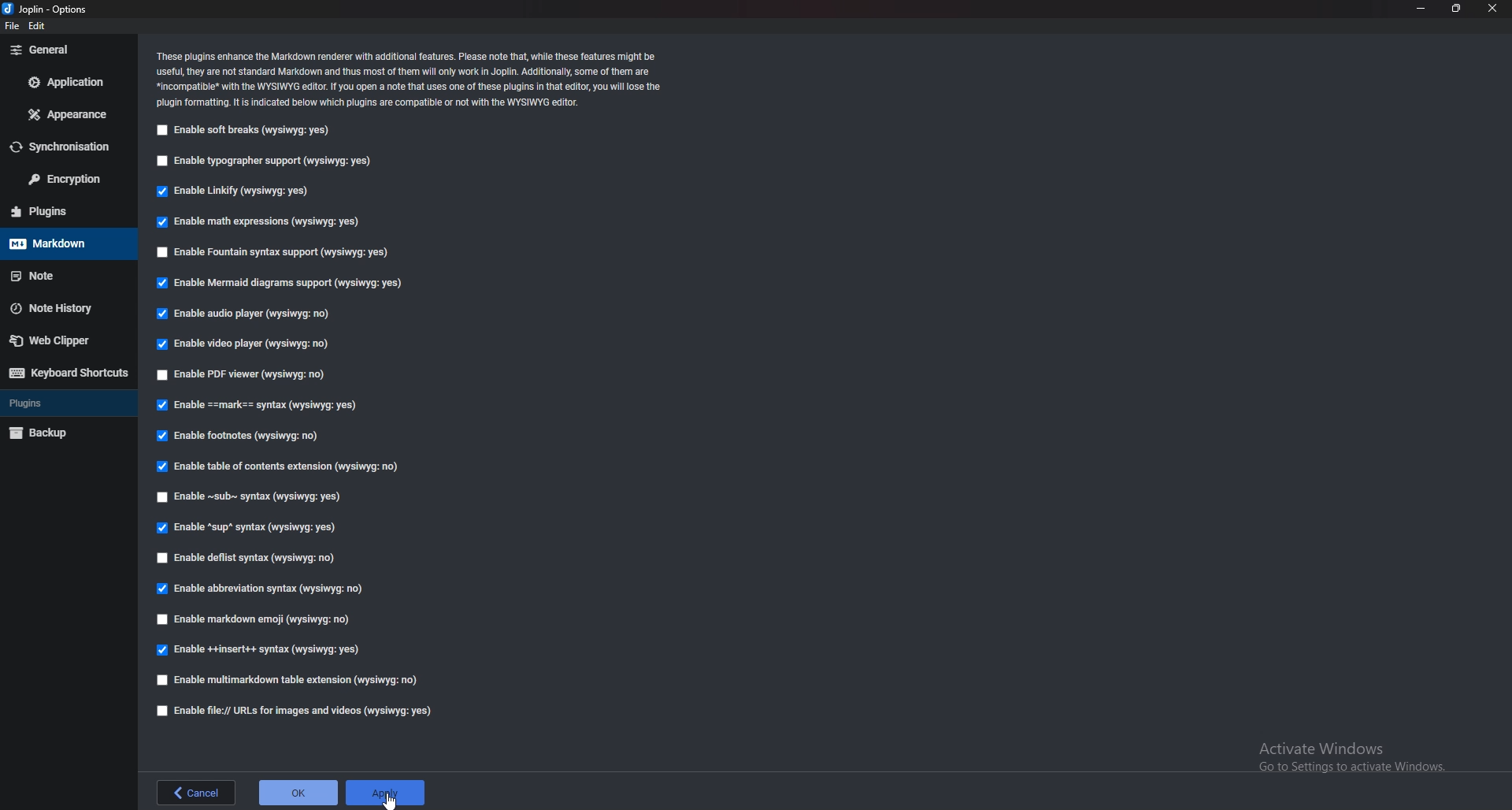  I want to click on Synchronization, so click(66, 147).